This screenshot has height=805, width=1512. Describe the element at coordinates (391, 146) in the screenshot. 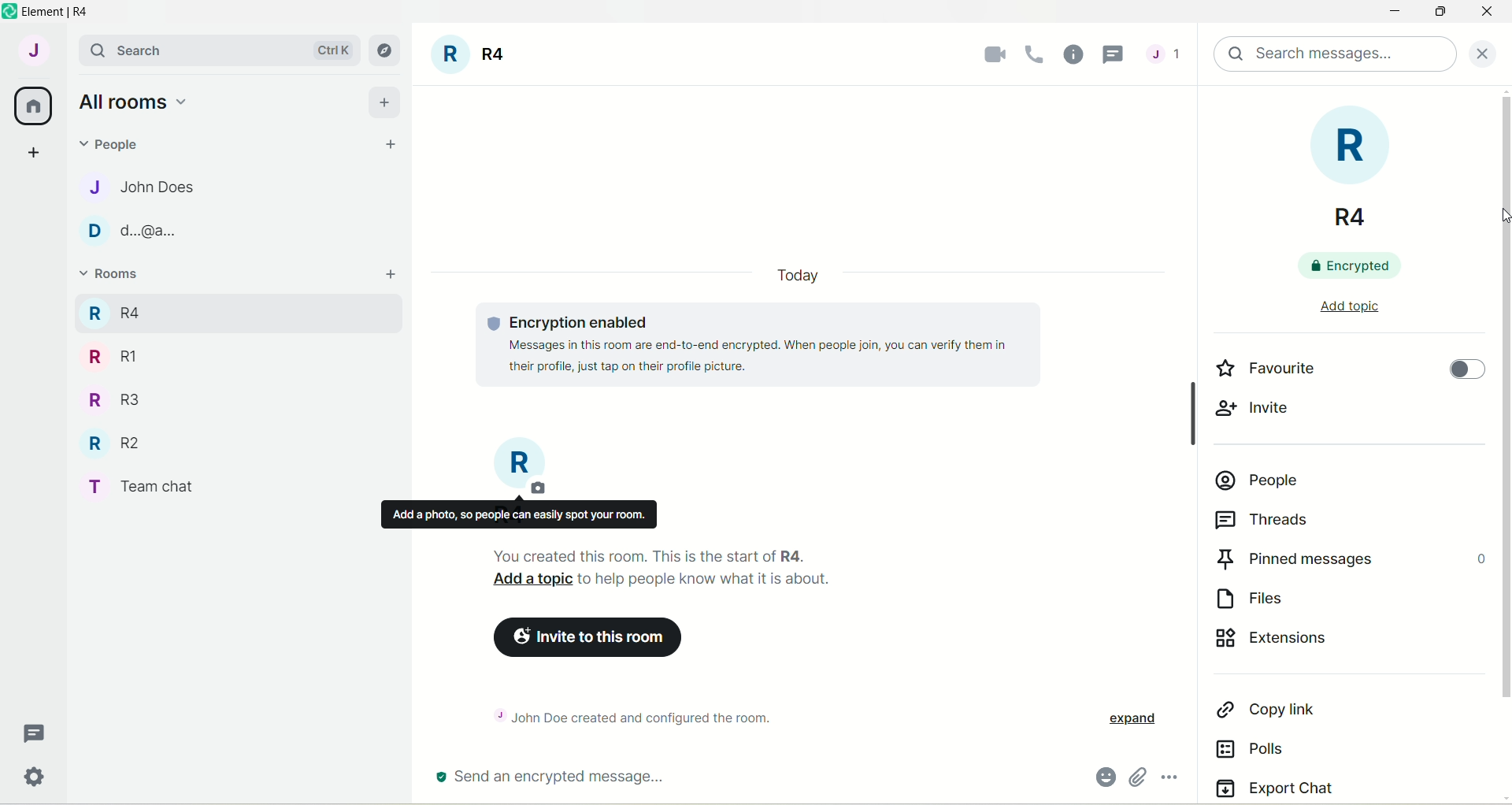

I see `start chat` at that location.